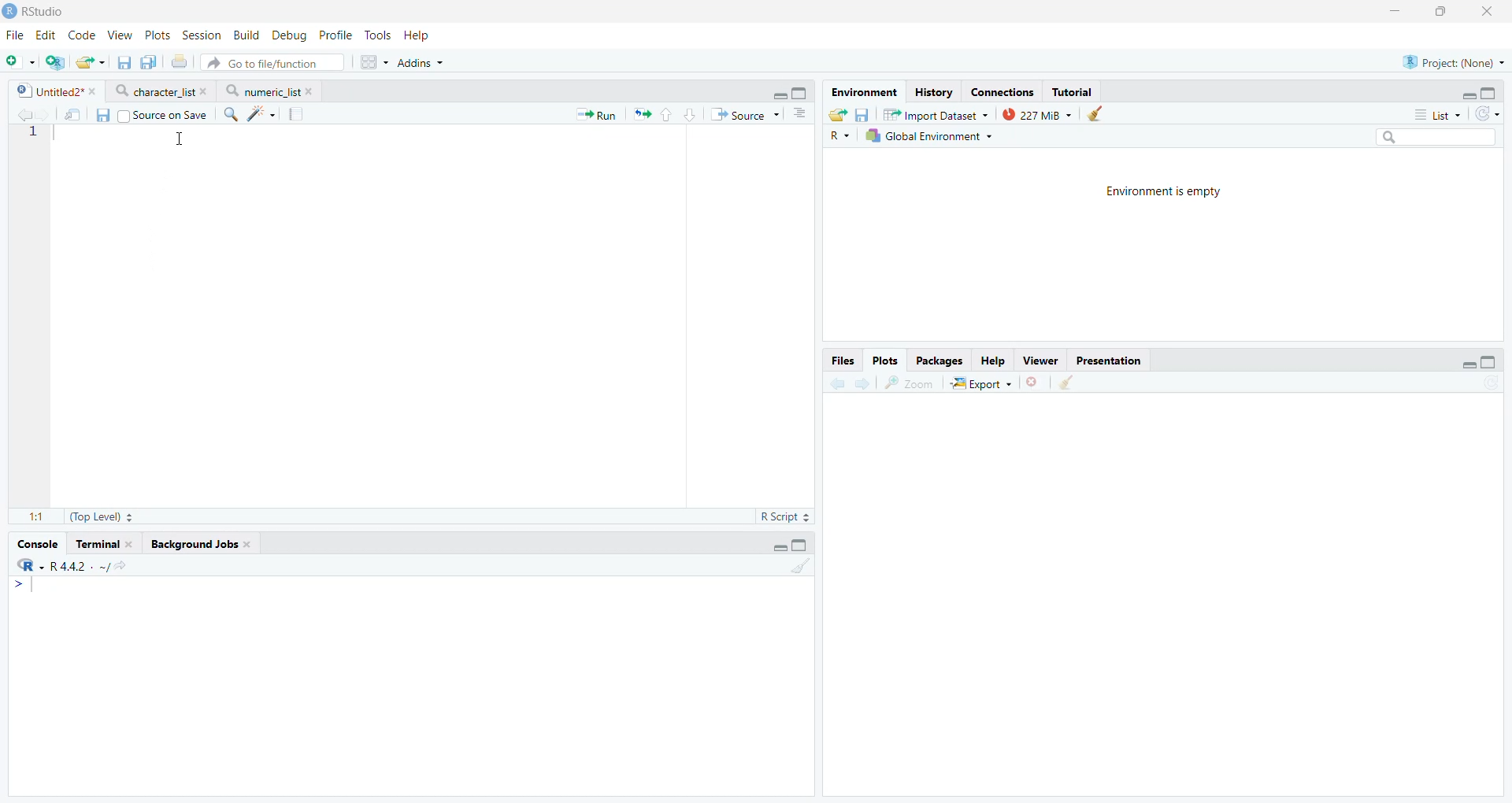 The width and height of the screenshot is (1512, 803). What do you see at coordinates (1036, 382) in the screenshot?
I see `Remove Selected` at bounding box center [1036, 382].